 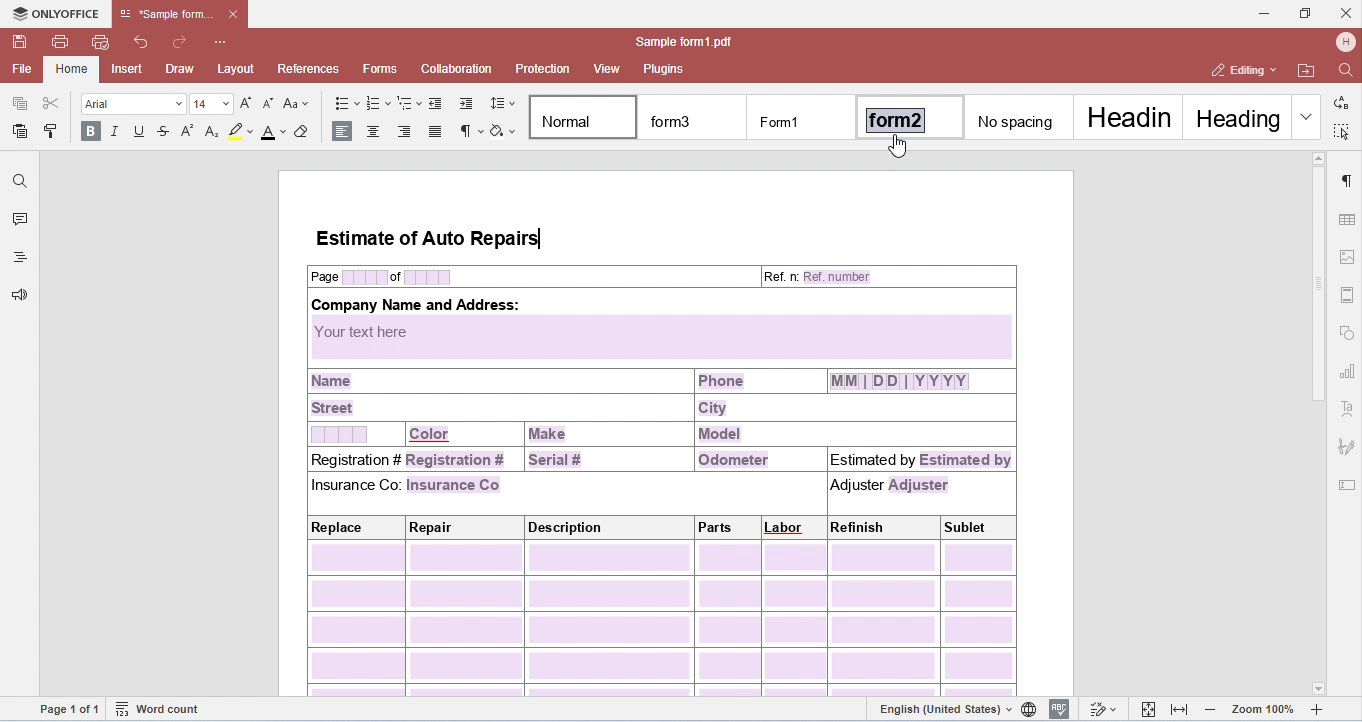 What do you see at coordinates (167, 14) in the screenshot?
I see `tab name` at bounding box center [167, 14].